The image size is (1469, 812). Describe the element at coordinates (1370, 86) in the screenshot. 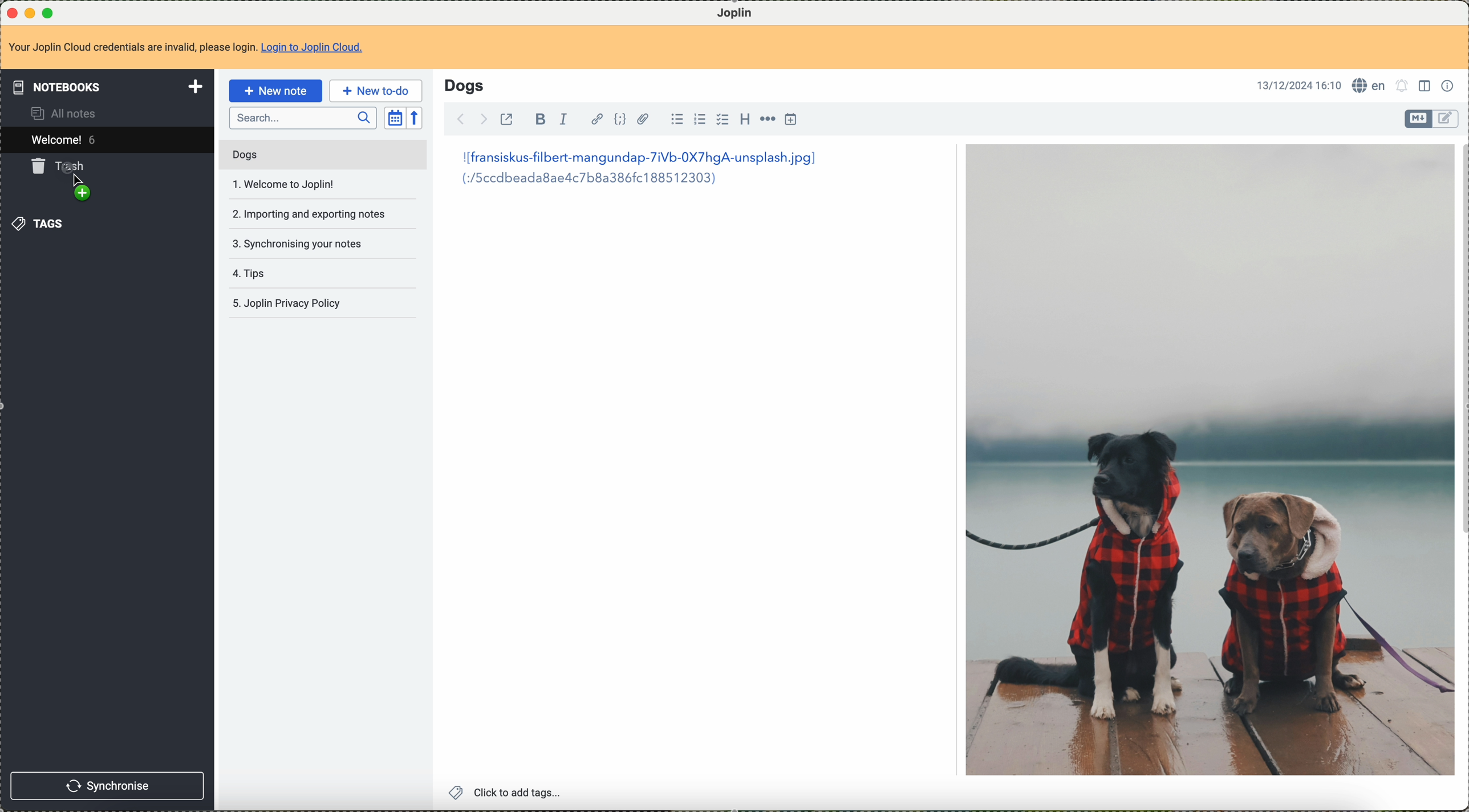

I see `language` at that location.